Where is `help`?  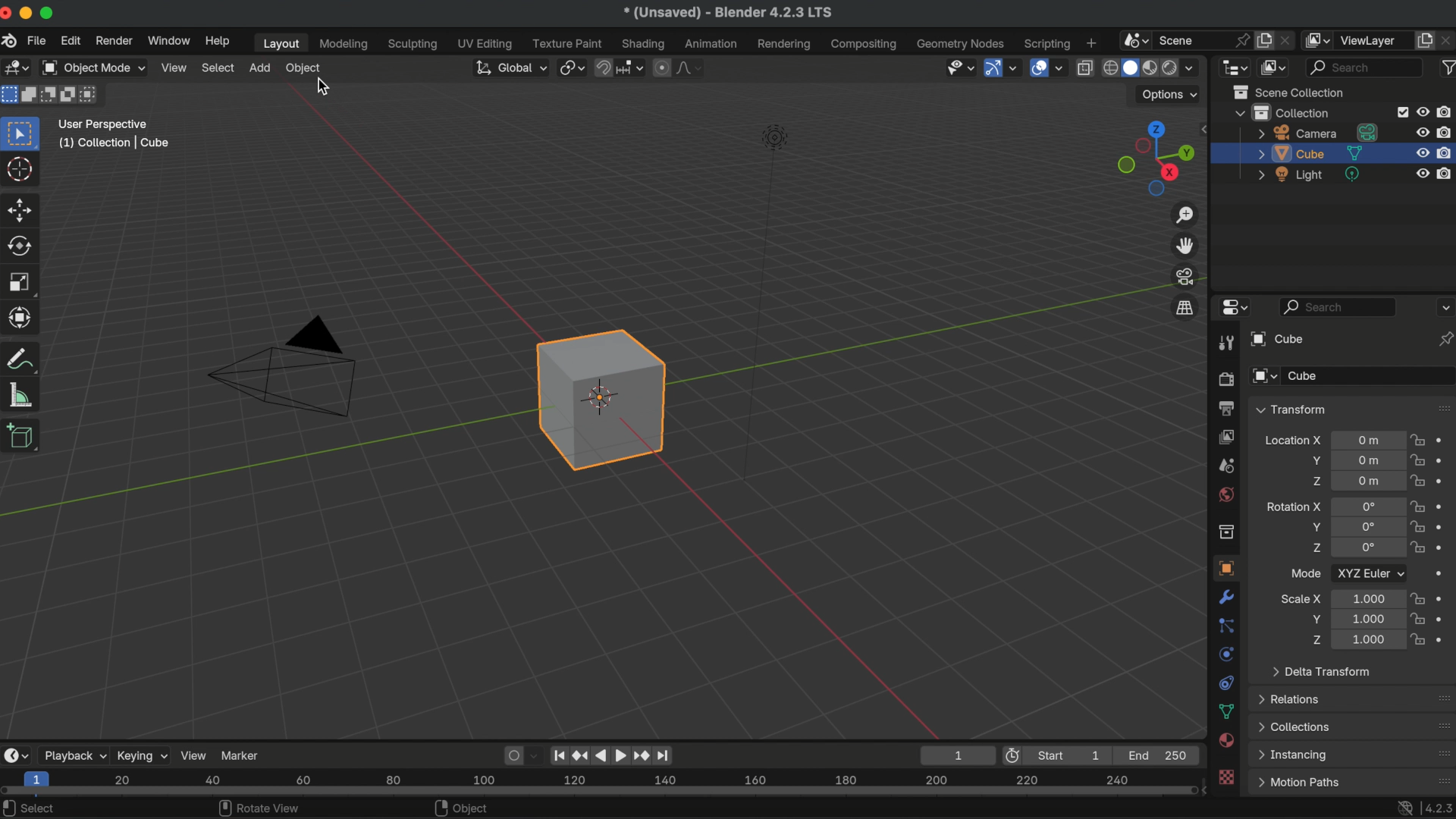 help is located at coordinates (217, 41).